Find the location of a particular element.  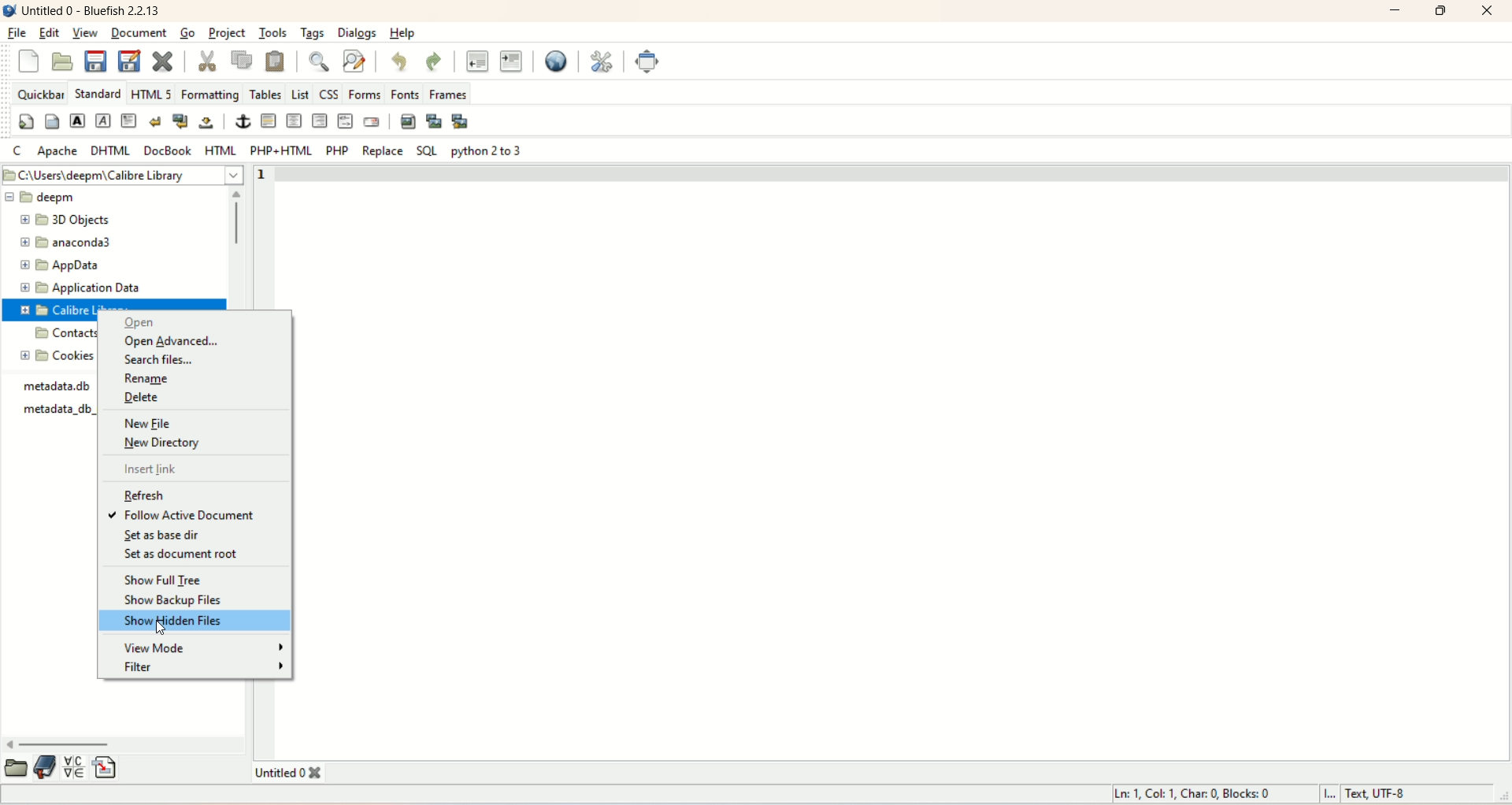

HTML is located at coordinates (220, 149).